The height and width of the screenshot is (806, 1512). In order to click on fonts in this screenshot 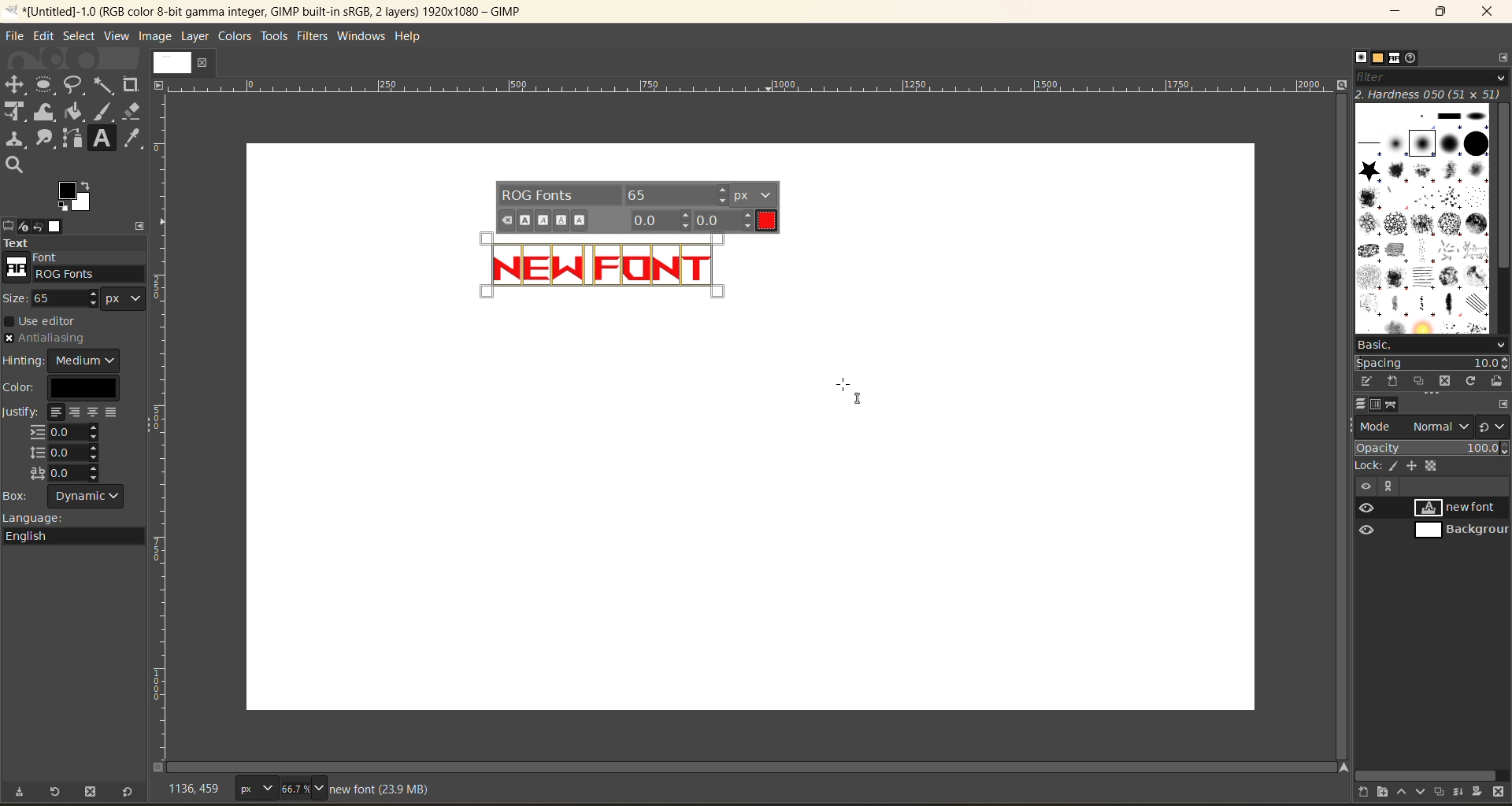, I will do `click(1398, 59)`.